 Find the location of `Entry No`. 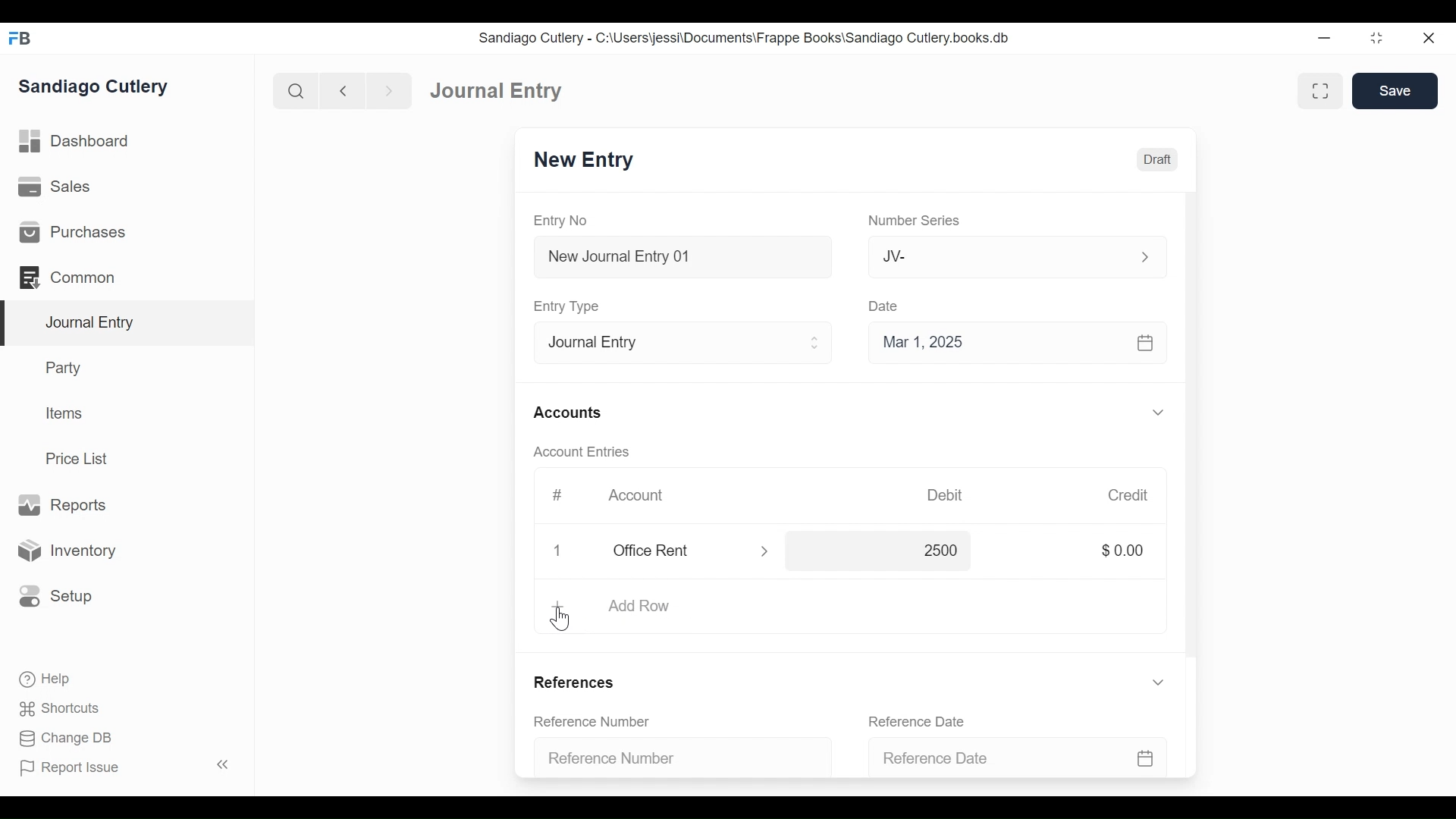

Entry No is located at coordinates (566, 221).